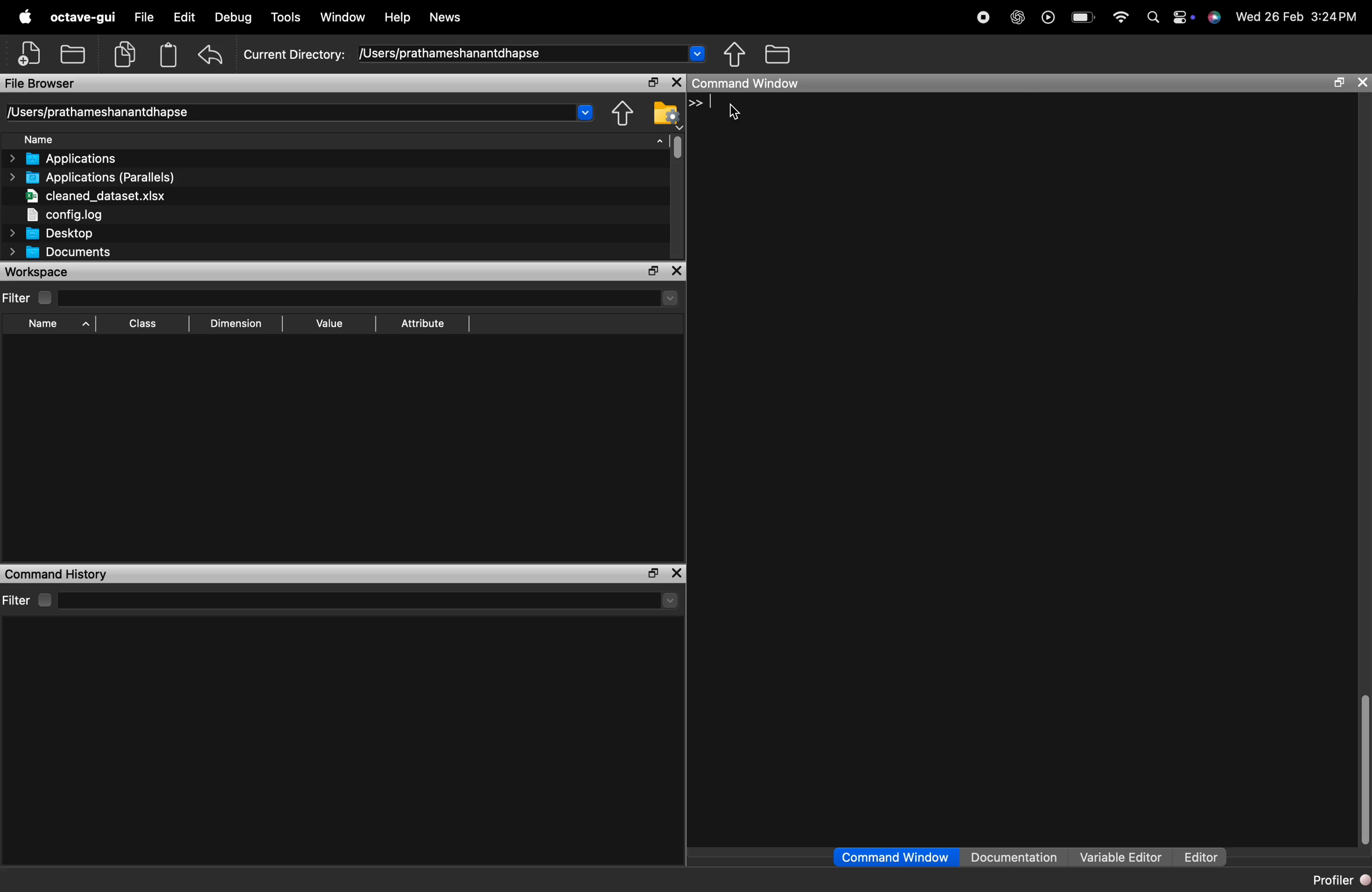 The image size is (1372, 892). I want to click on Undo, so click(210, 56).